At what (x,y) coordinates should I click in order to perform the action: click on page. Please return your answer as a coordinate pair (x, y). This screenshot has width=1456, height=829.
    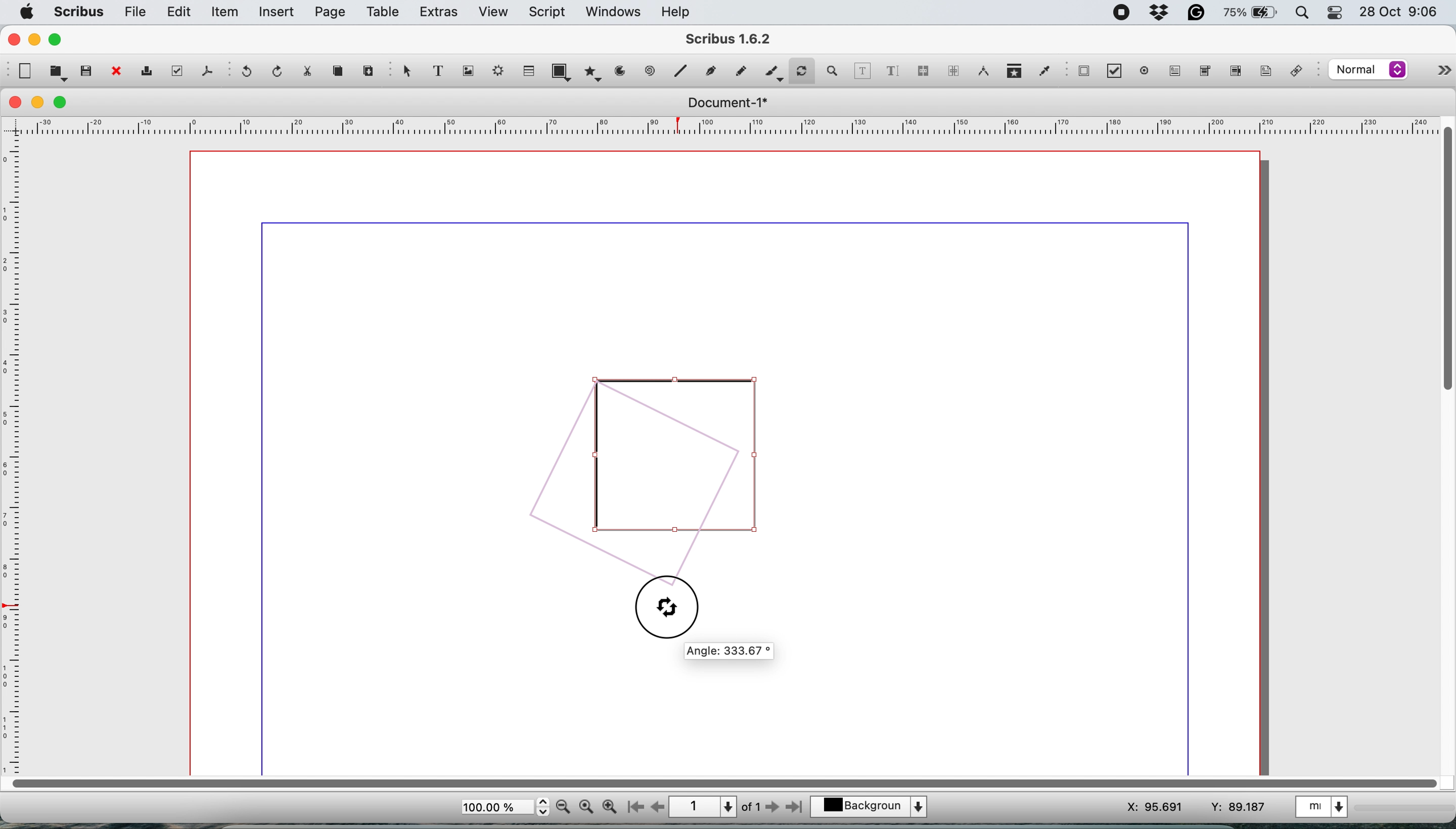
    Looking at the image, I should click on (330, 13).